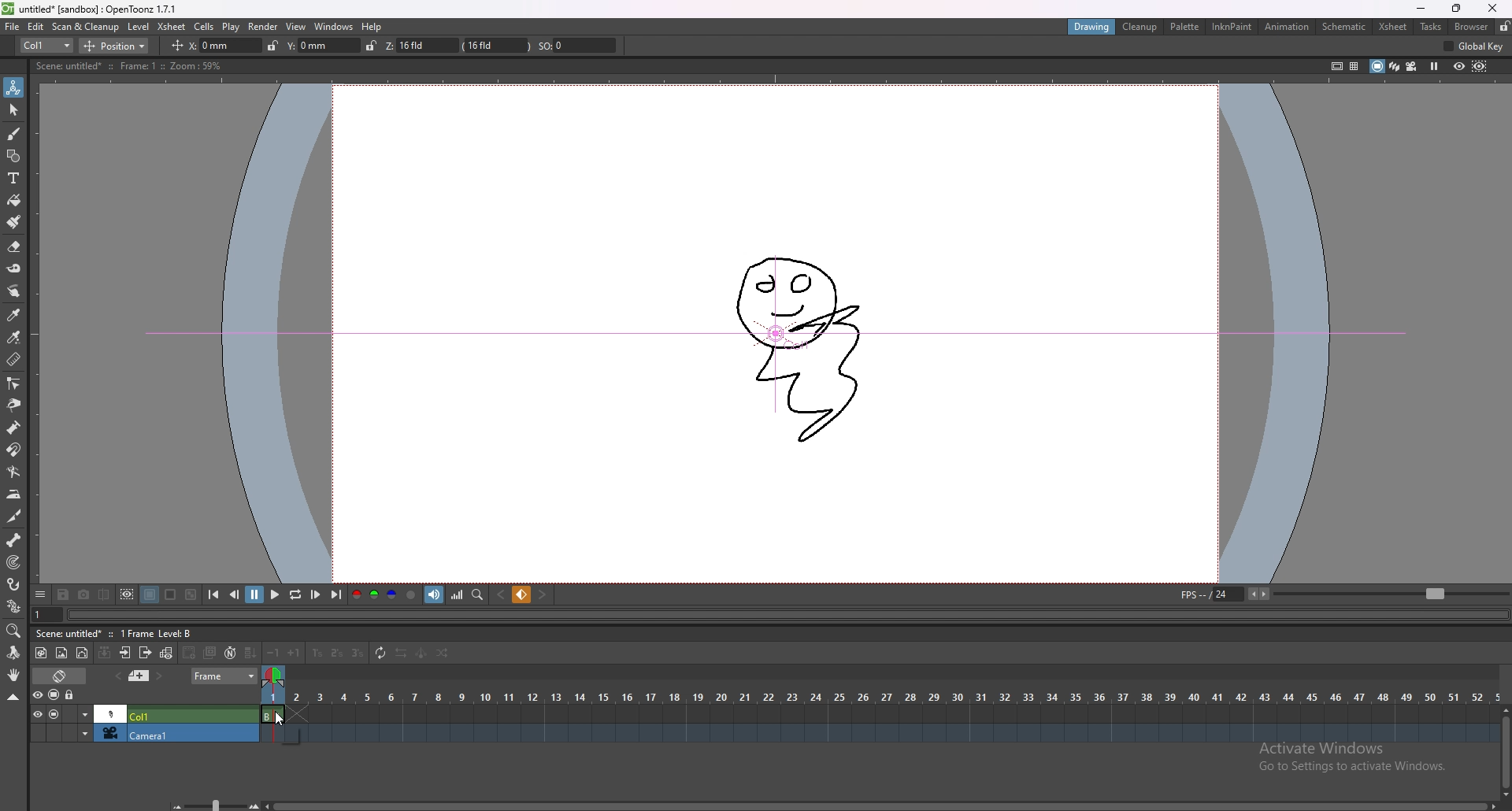 The width and height of the screenshot is (1512, 811). Describe the element at coordinates (1394, 27) in the screenshot. I see `xsheet` at that location.